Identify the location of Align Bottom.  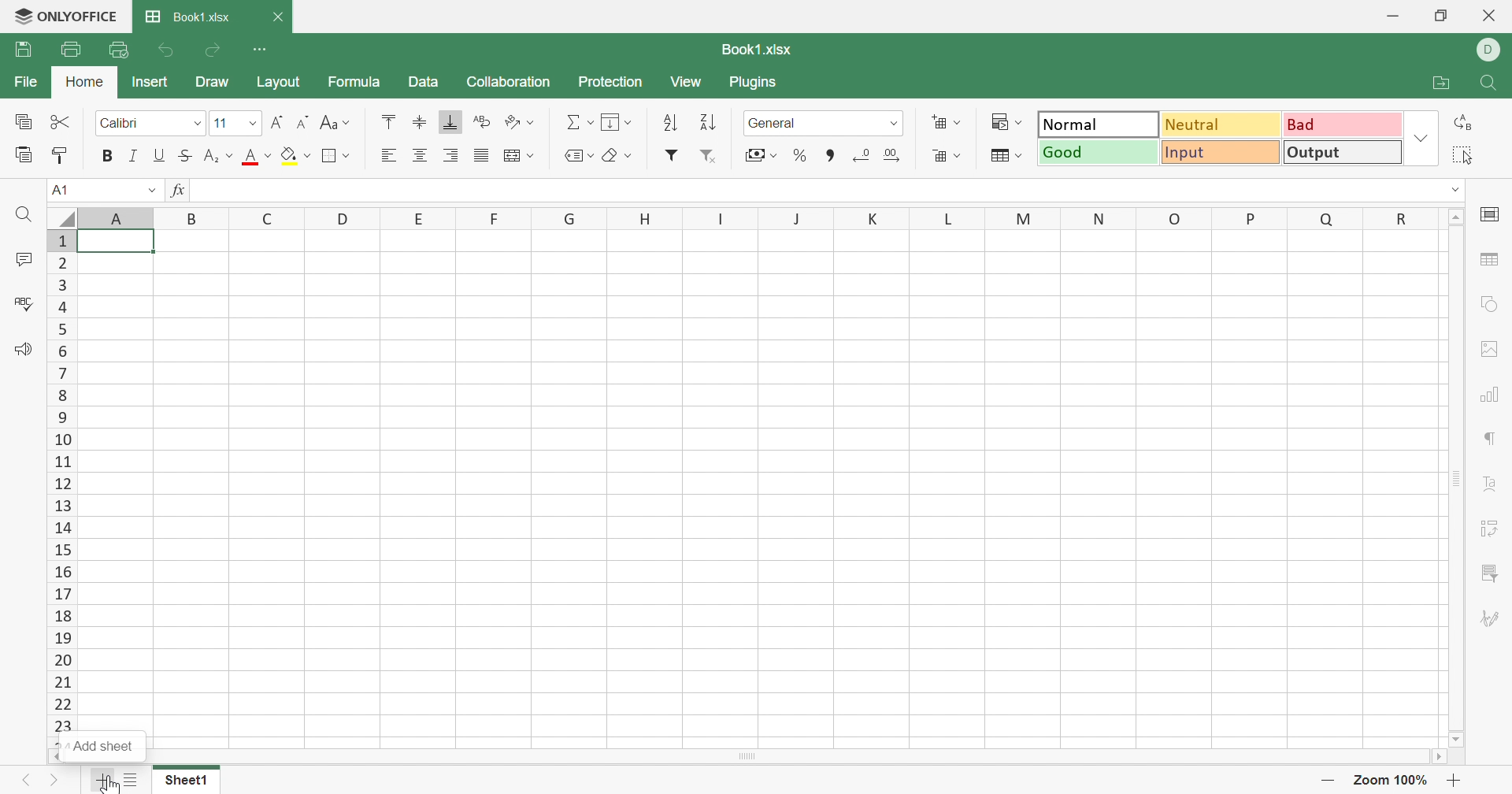
(452, 121).